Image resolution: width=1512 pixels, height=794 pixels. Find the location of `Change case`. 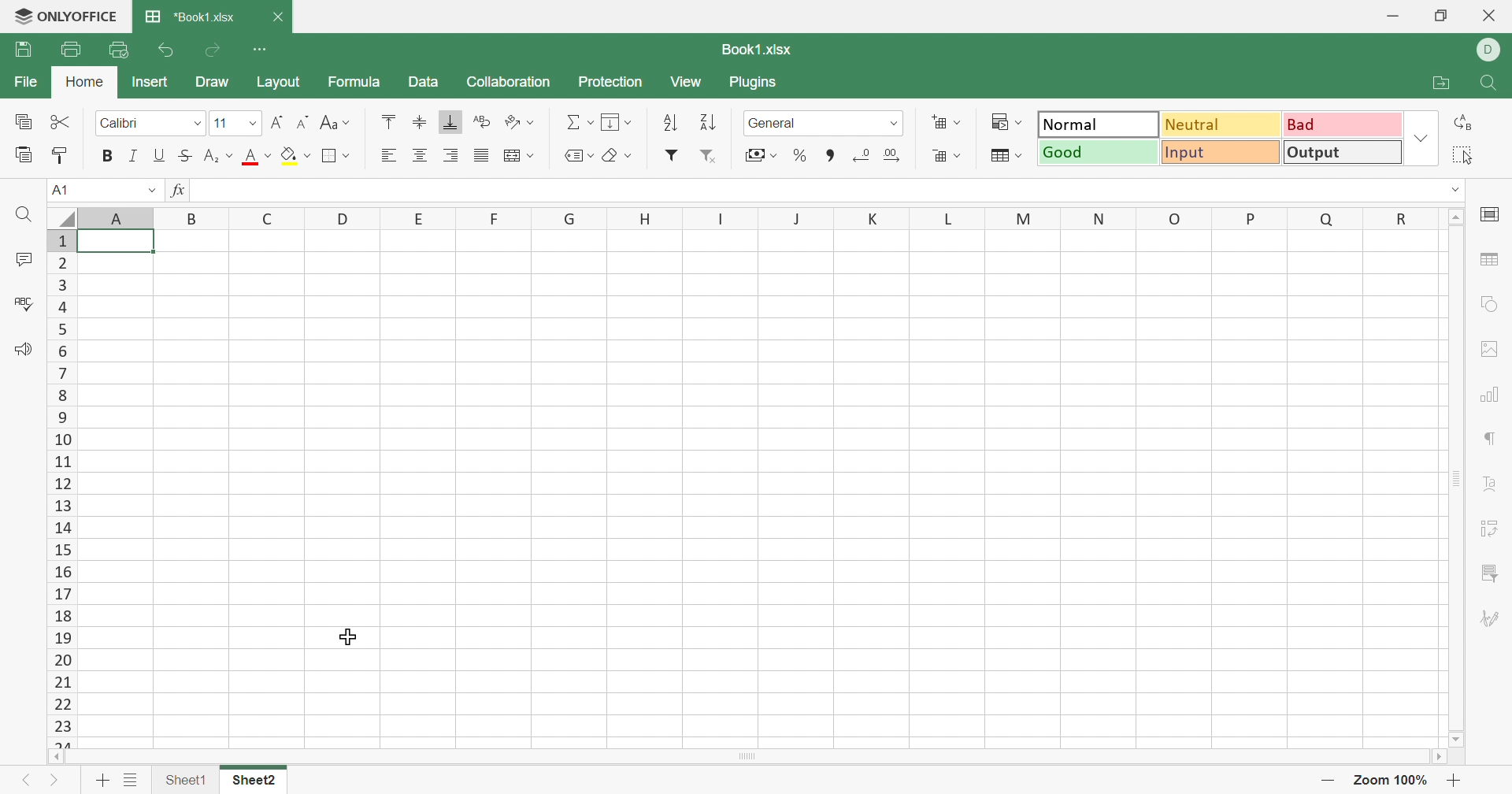

Change case is located at coordinates (325, 121).